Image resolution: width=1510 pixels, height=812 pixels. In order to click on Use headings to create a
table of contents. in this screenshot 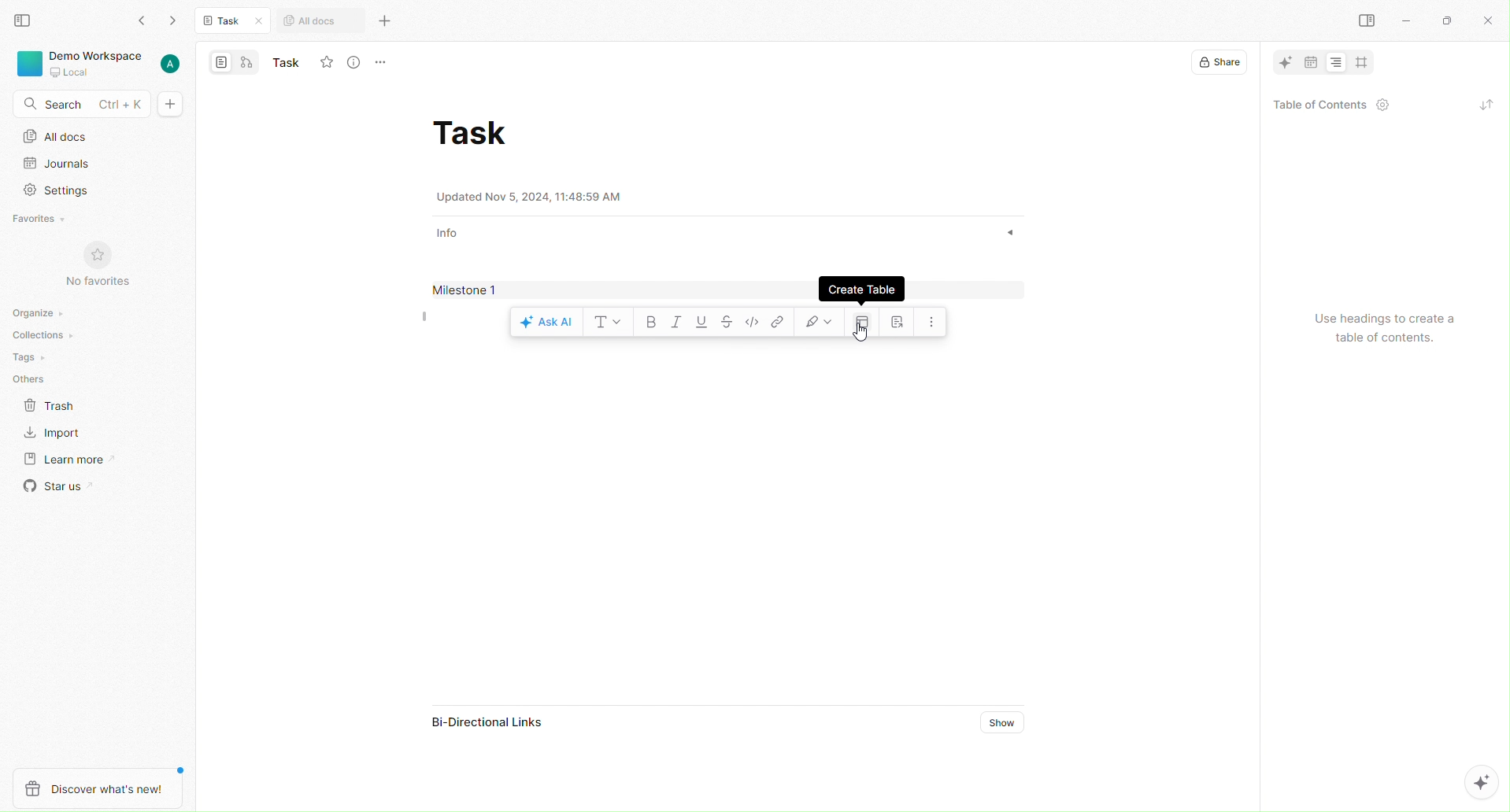, I will do `click(1380, 327)`.